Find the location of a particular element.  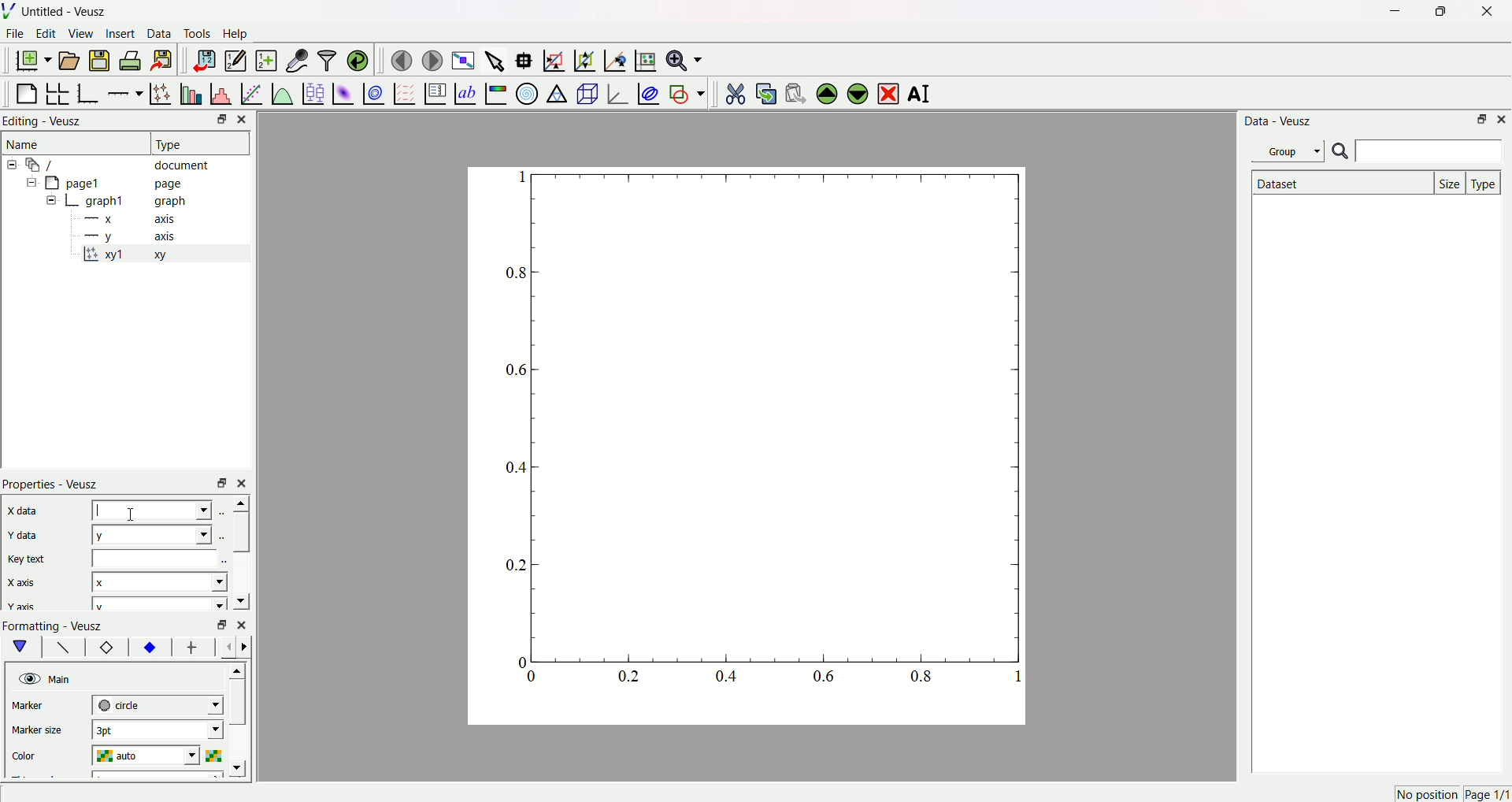

y axis is located at coordinates (135, 236).